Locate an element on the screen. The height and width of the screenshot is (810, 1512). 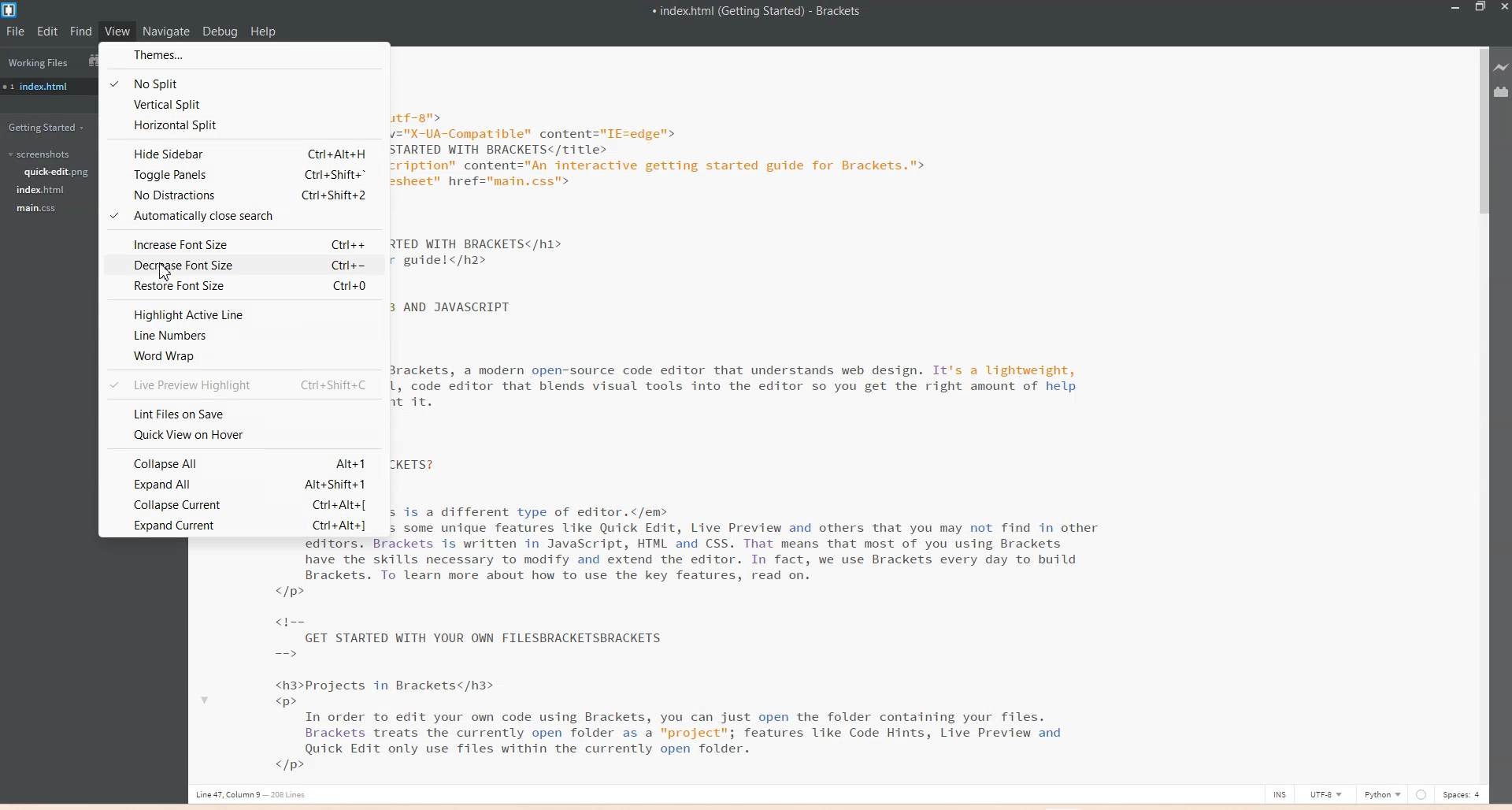
Getting Started is located at coordinates (45, 128).